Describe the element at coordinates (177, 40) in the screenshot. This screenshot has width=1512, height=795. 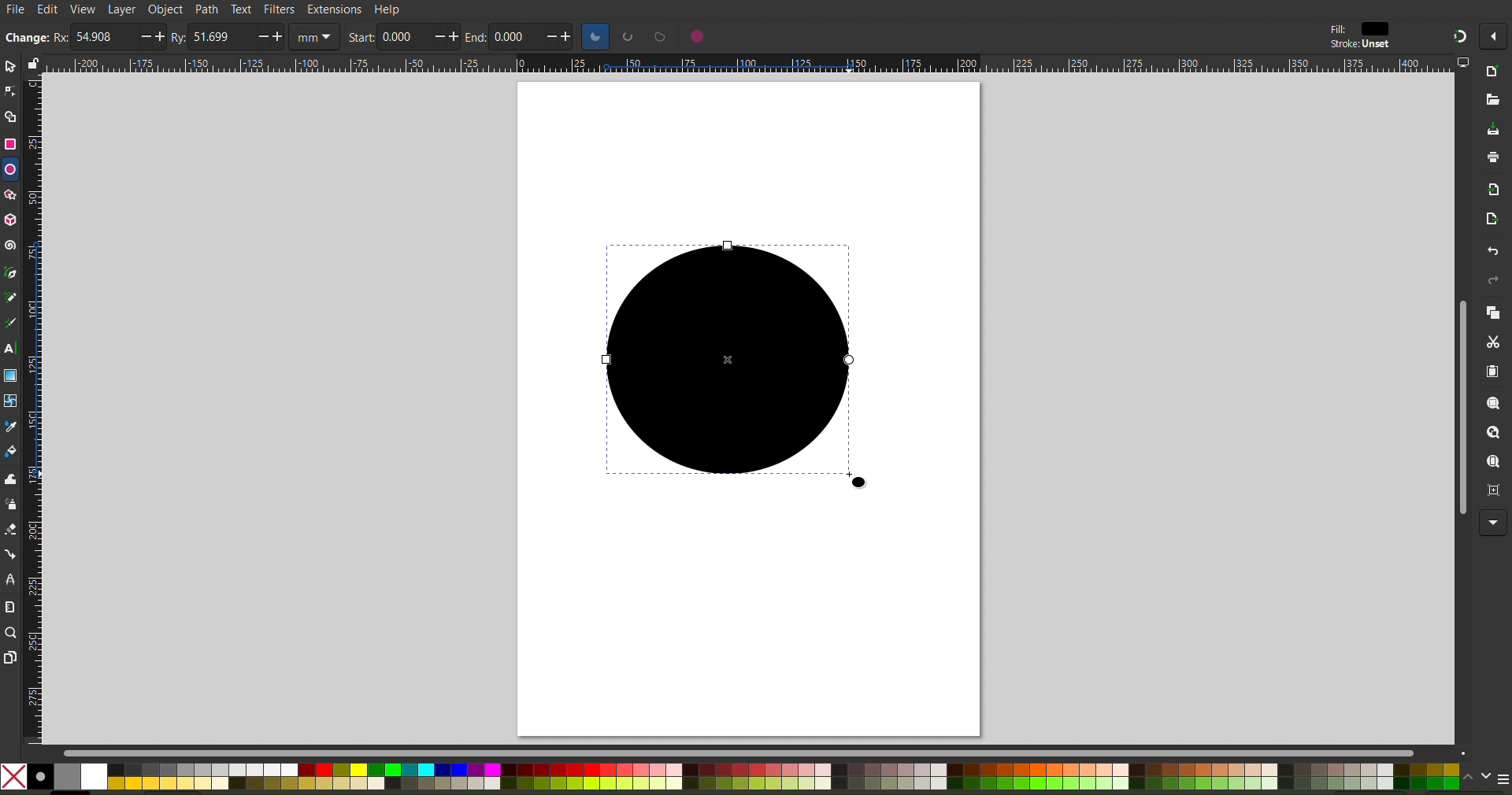
I see `ry` at that location.